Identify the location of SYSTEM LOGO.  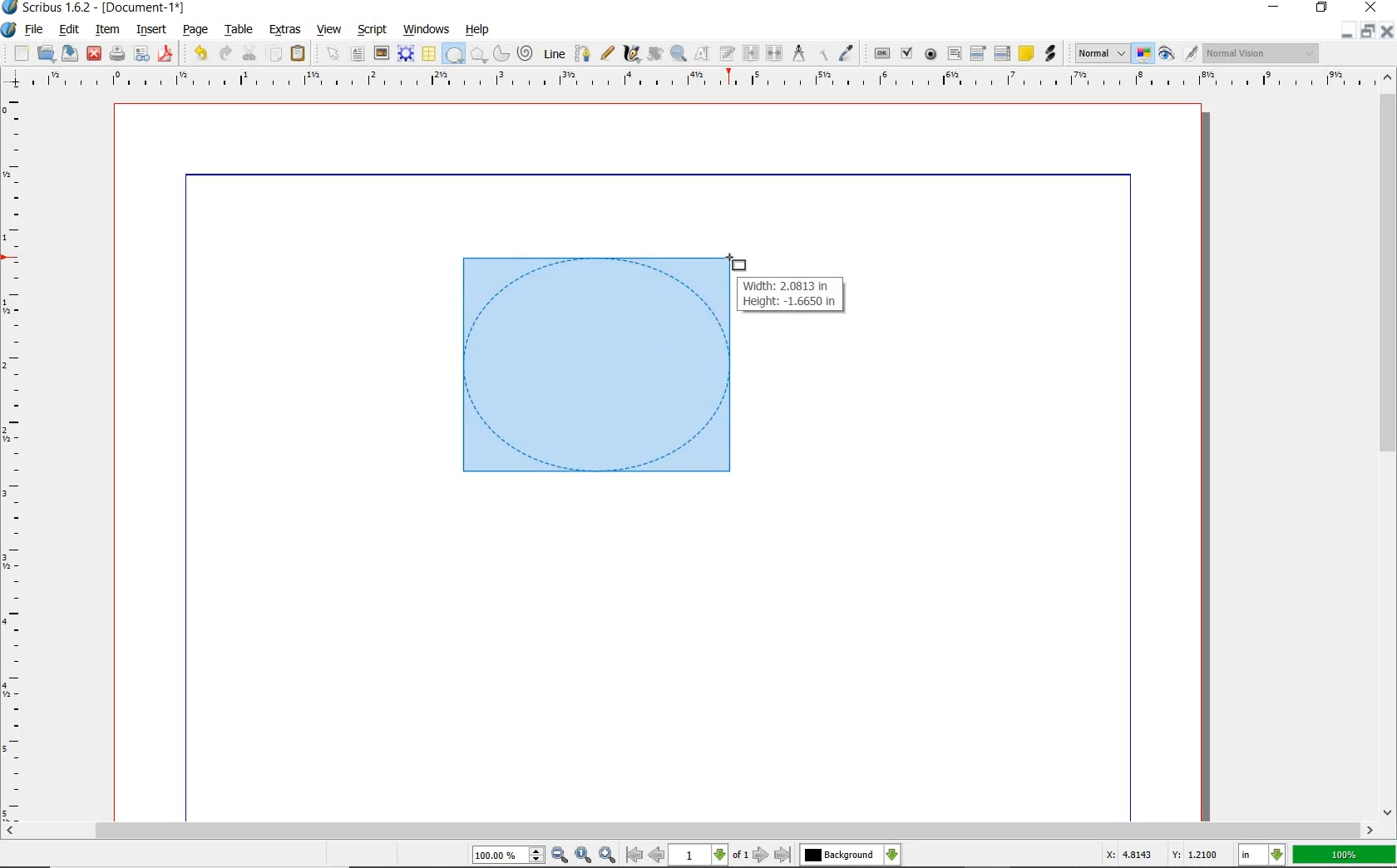
(9, 30).